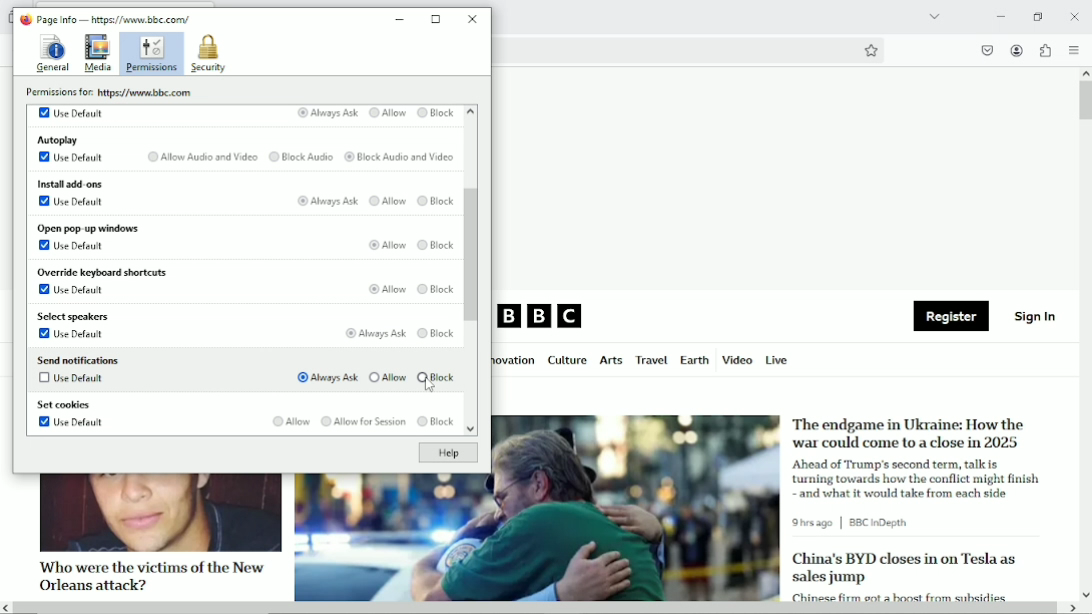 This screenshot has height=614, width=1092. I want to click on Help, so click(447, 453).